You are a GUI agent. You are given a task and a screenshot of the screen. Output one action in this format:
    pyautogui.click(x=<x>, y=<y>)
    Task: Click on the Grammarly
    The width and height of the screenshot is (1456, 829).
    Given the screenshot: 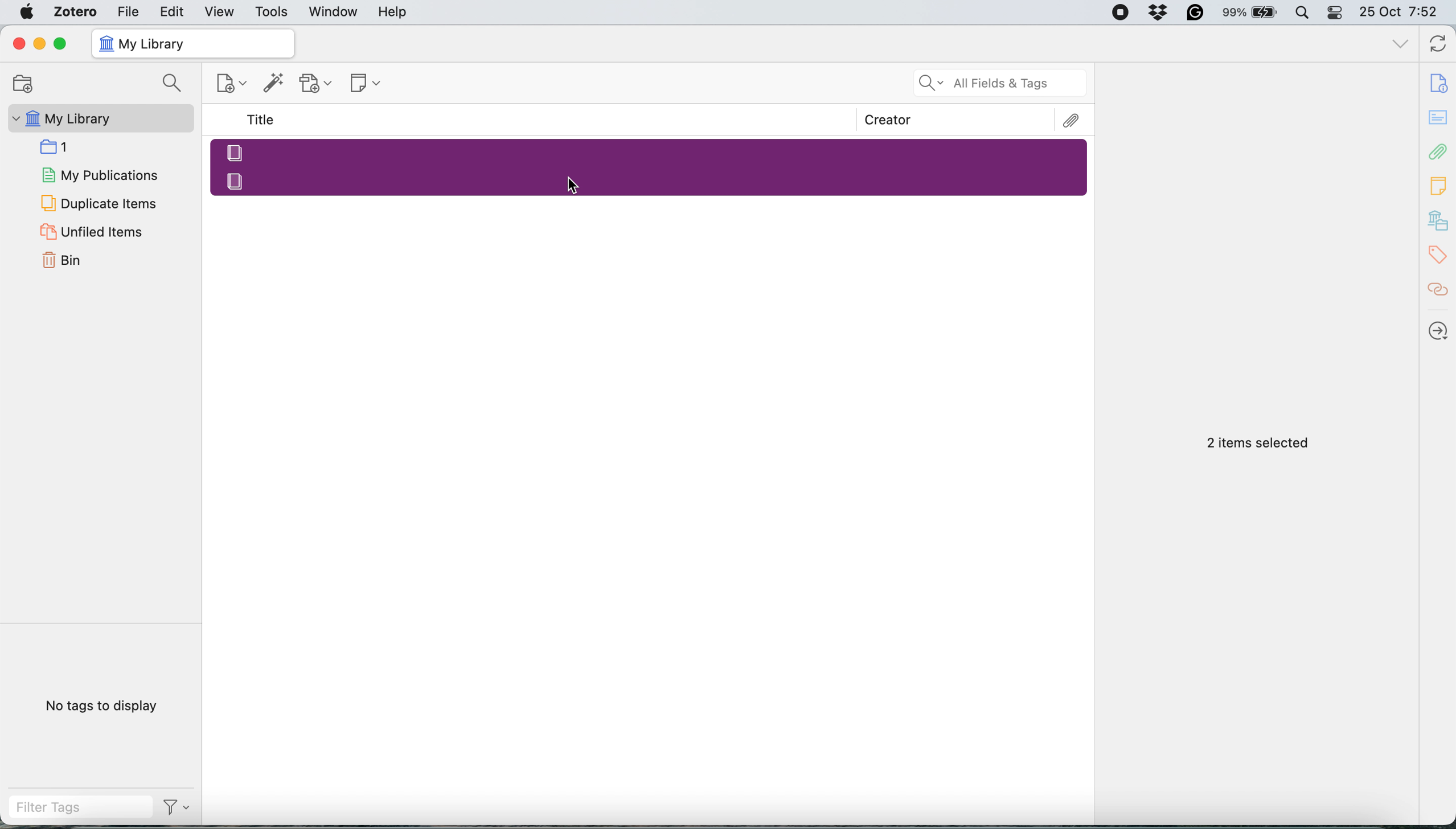 What is the action you would take?
    pyautogui.click(x=1196, y=12)
    